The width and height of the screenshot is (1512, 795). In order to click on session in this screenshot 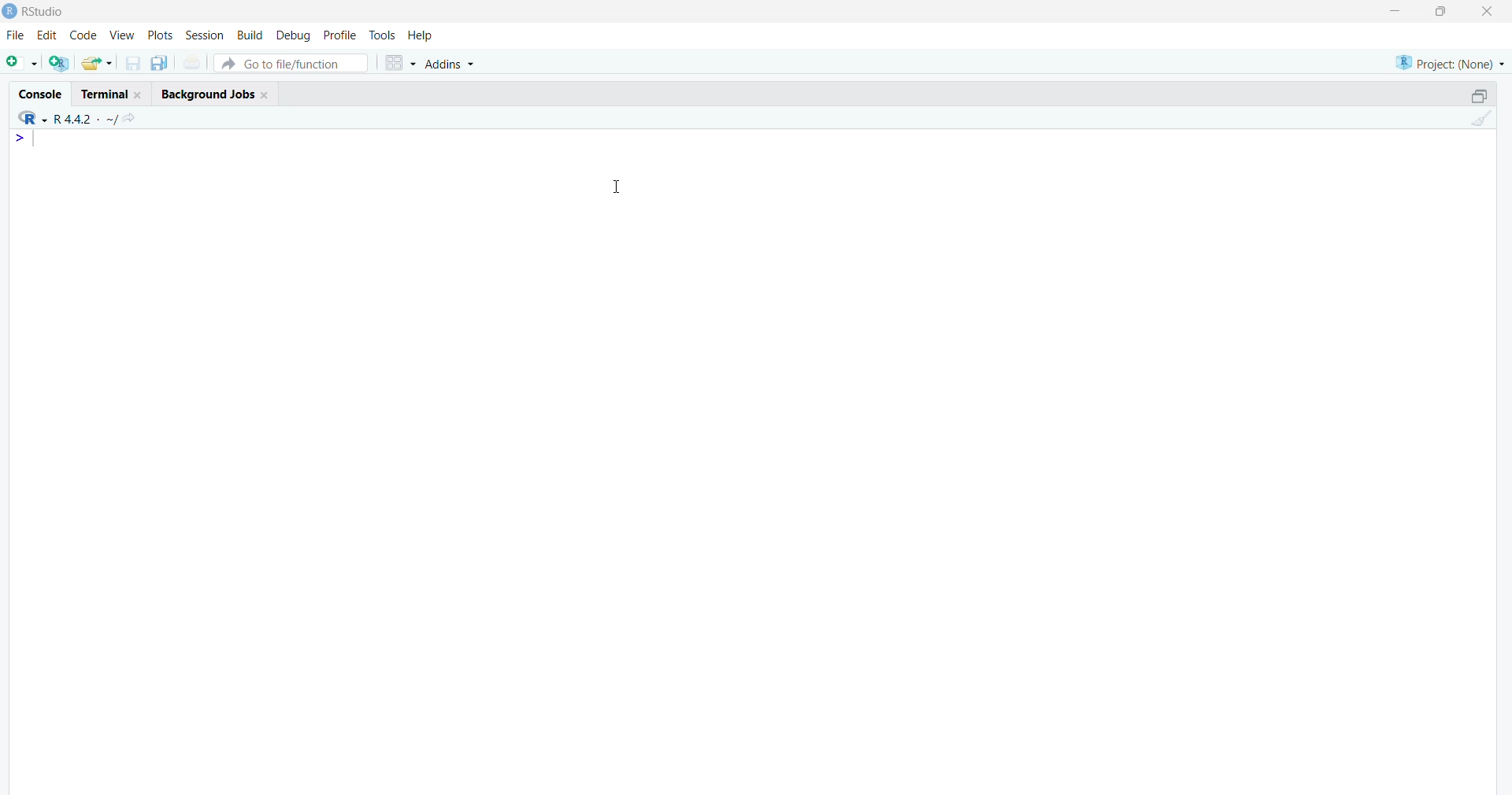, I will do `click(205, 35)`.